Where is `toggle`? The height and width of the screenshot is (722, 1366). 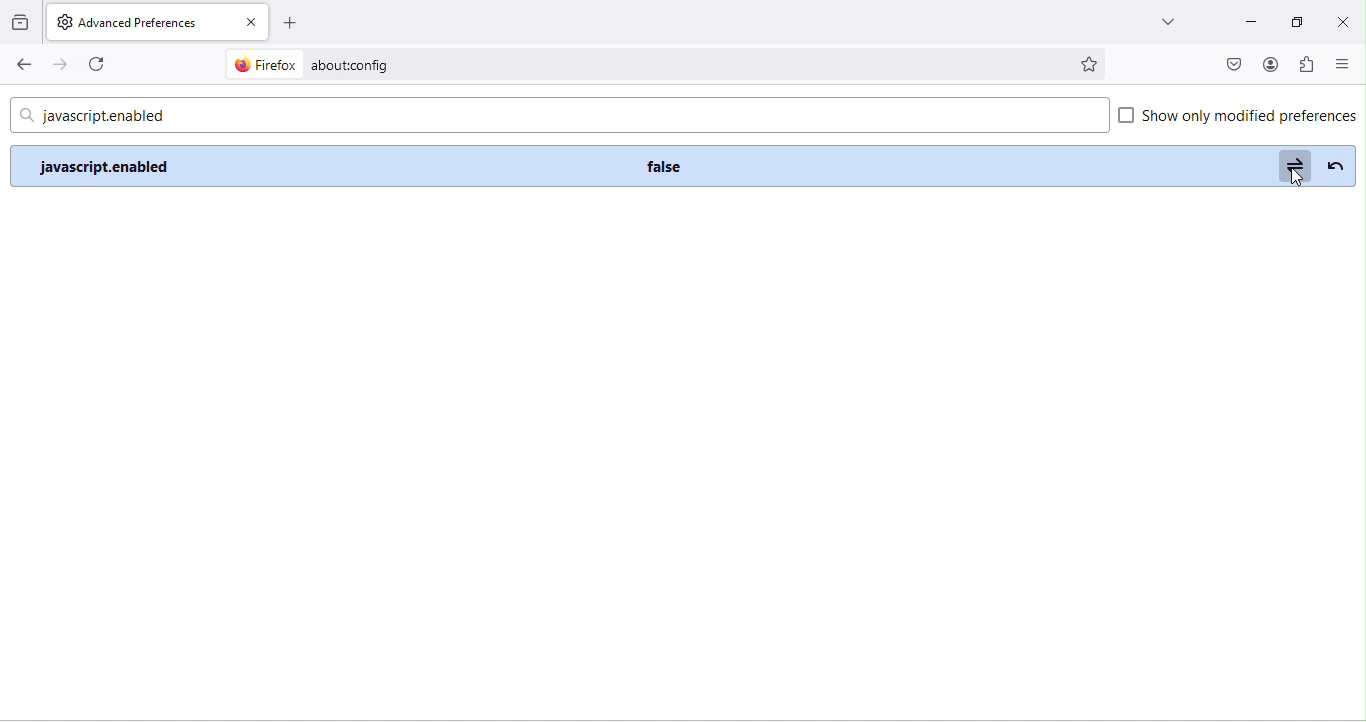 toggle is located at coordinates (1292, 162).